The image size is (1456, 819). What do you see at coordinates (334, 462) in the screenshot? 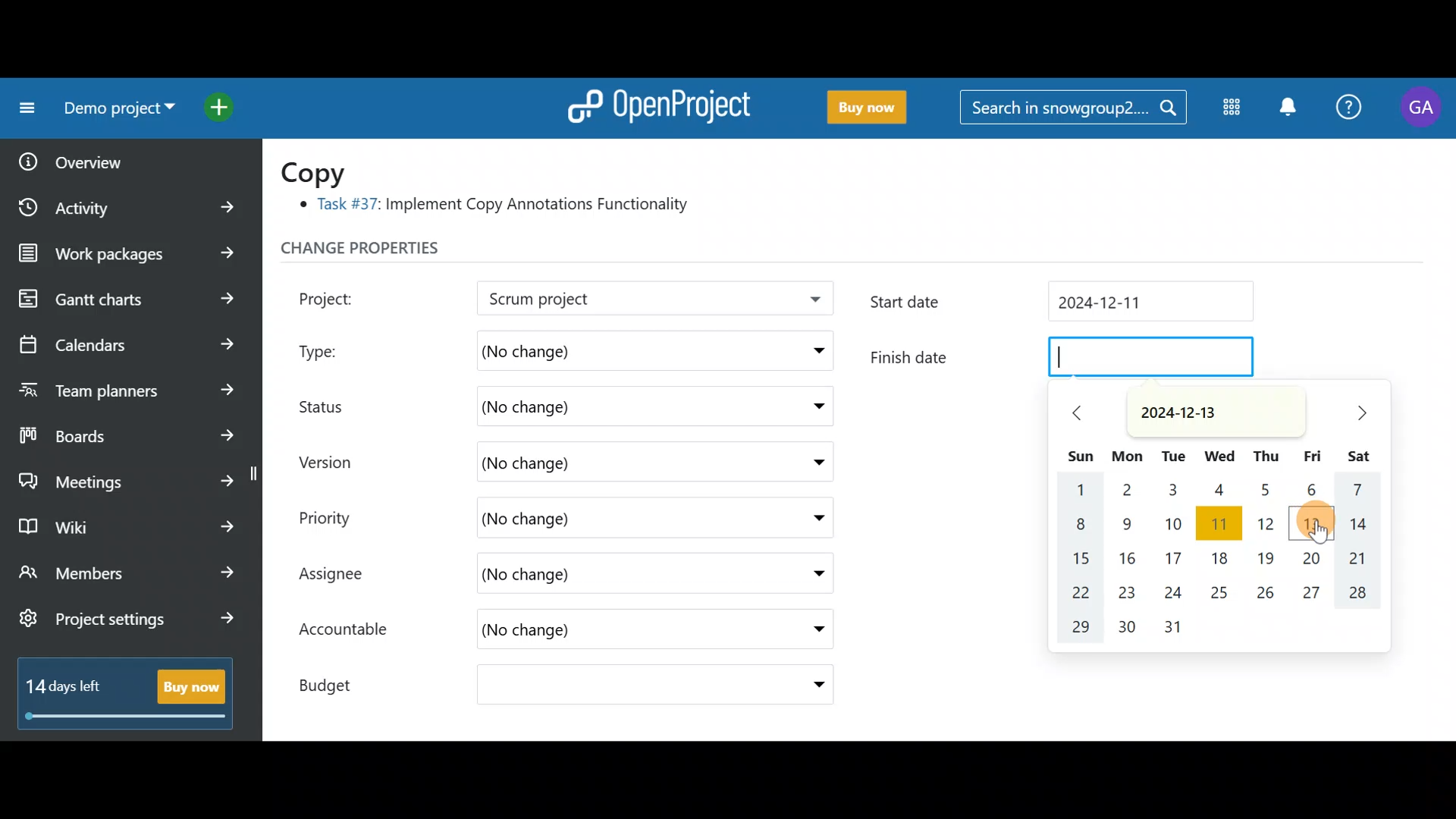
I see `Version` at bounding box center [334, 462].